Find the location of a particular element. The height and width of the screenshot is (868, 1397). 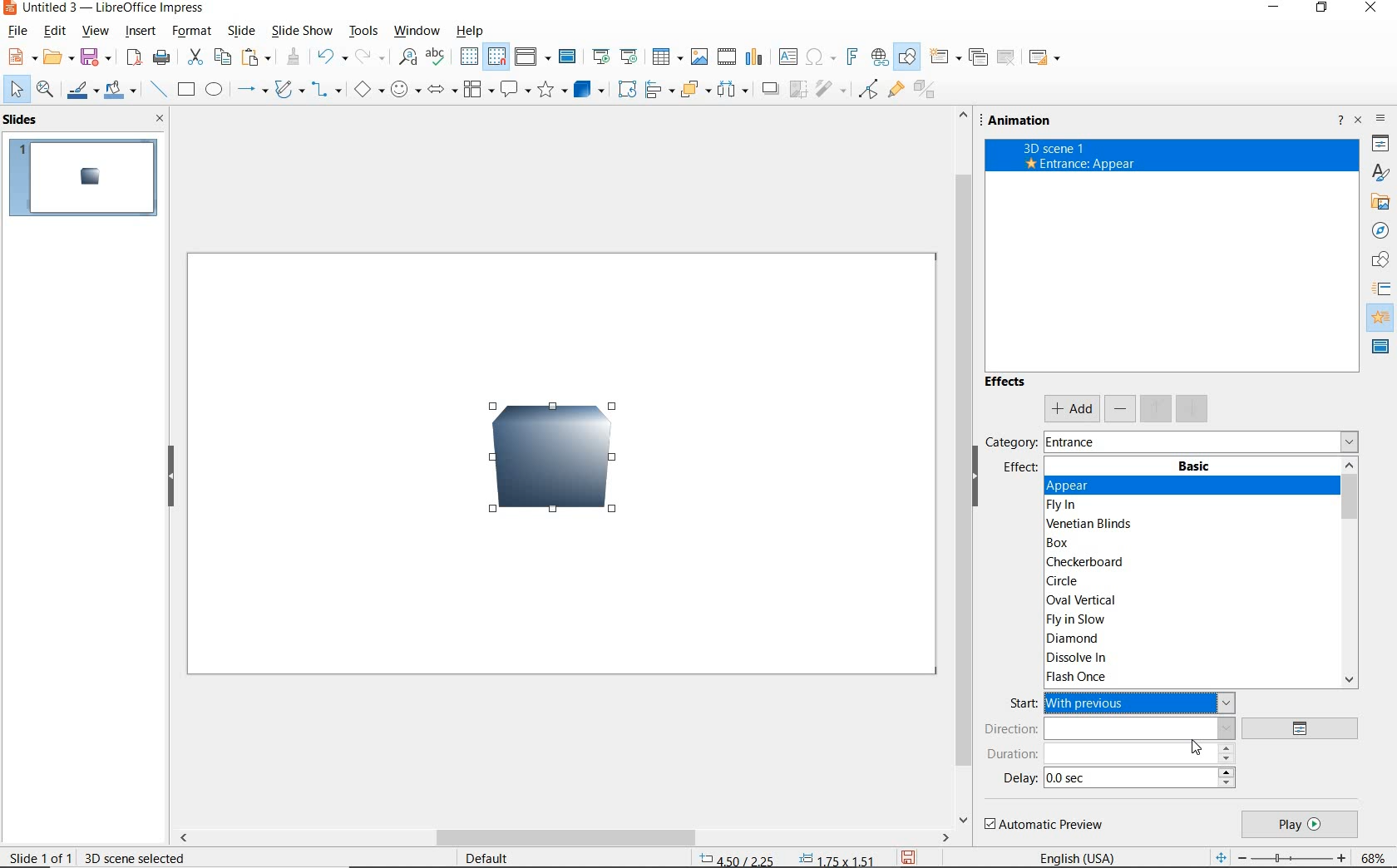

ENTRANCE is located at coordinates (1077, 441).